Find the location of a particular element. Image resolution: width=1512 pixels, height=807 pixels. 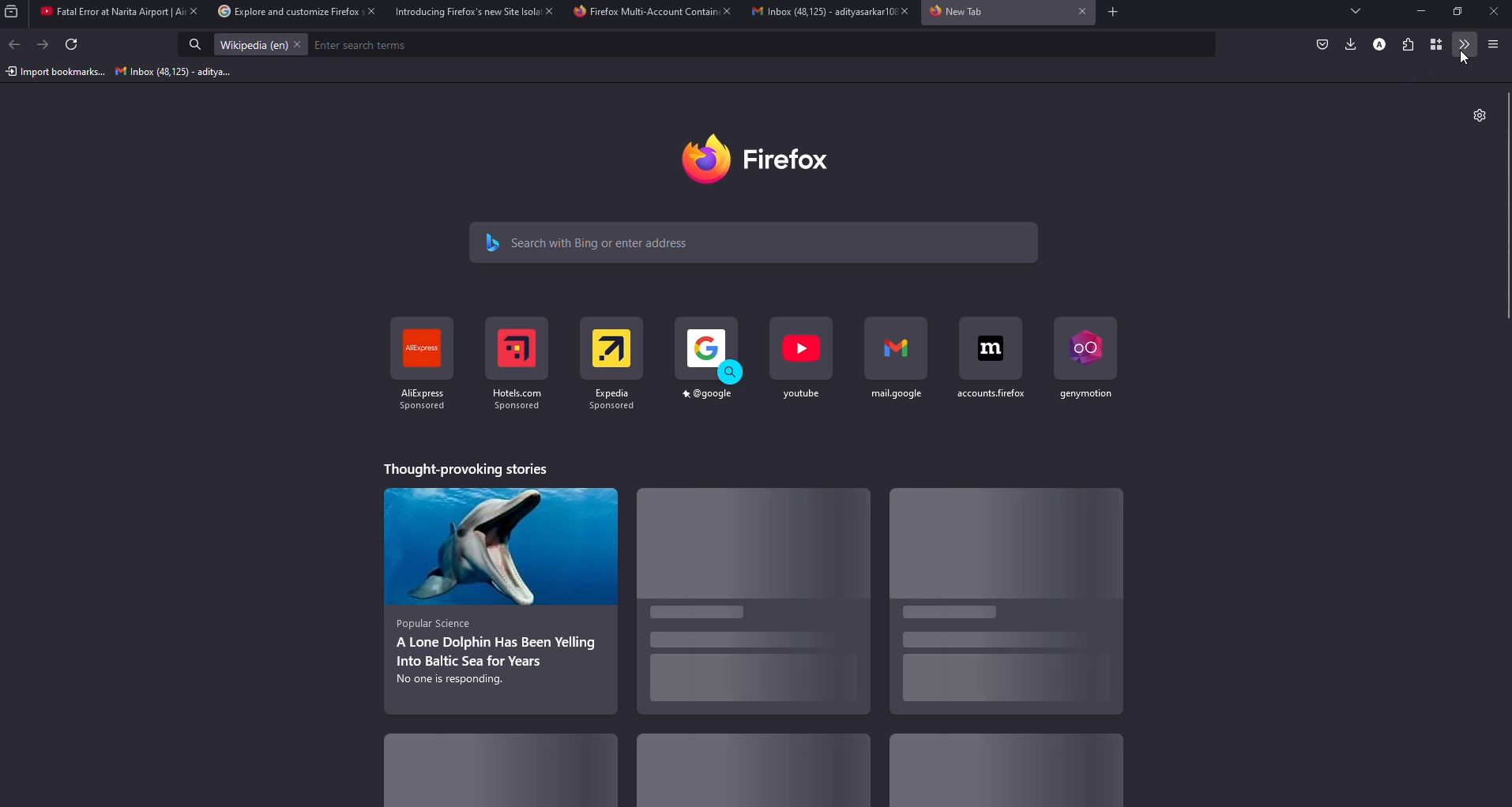

close is located at coordinates (191, 11).